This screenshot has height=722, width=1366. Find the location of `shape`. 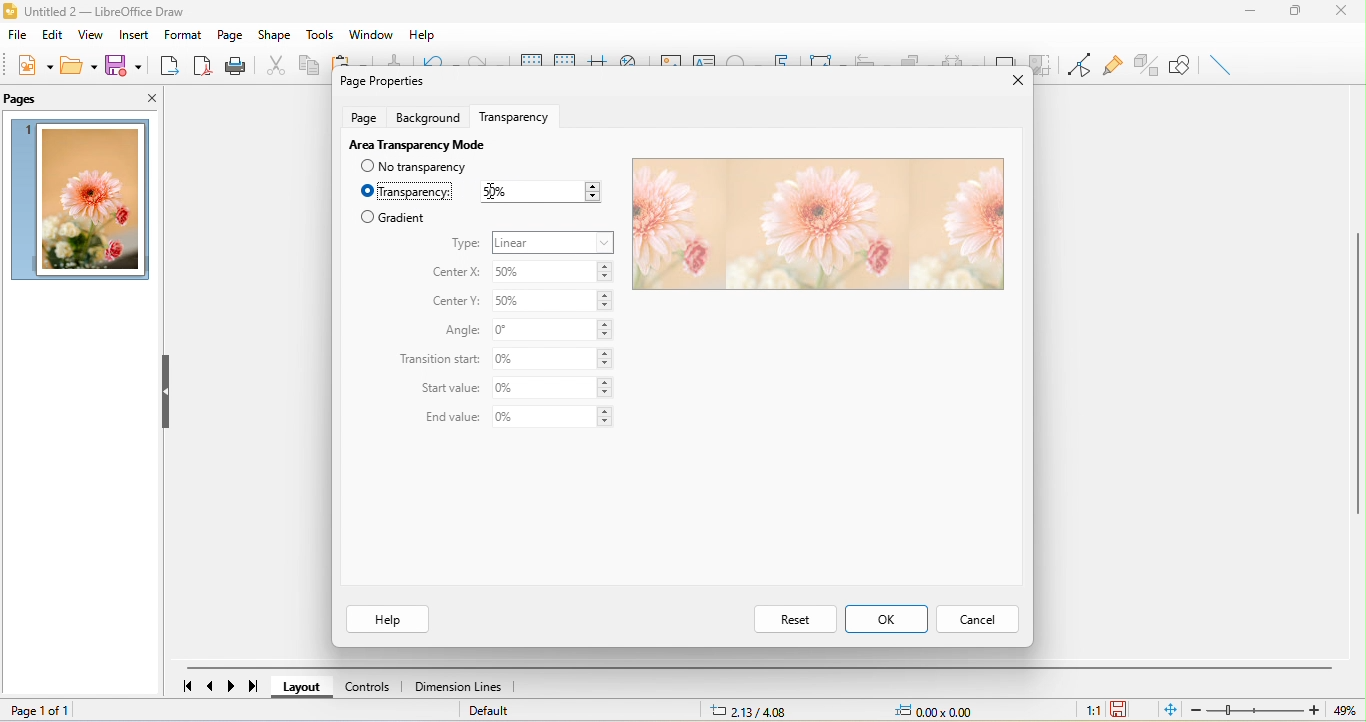

shape is located at coordinates (274, 36).